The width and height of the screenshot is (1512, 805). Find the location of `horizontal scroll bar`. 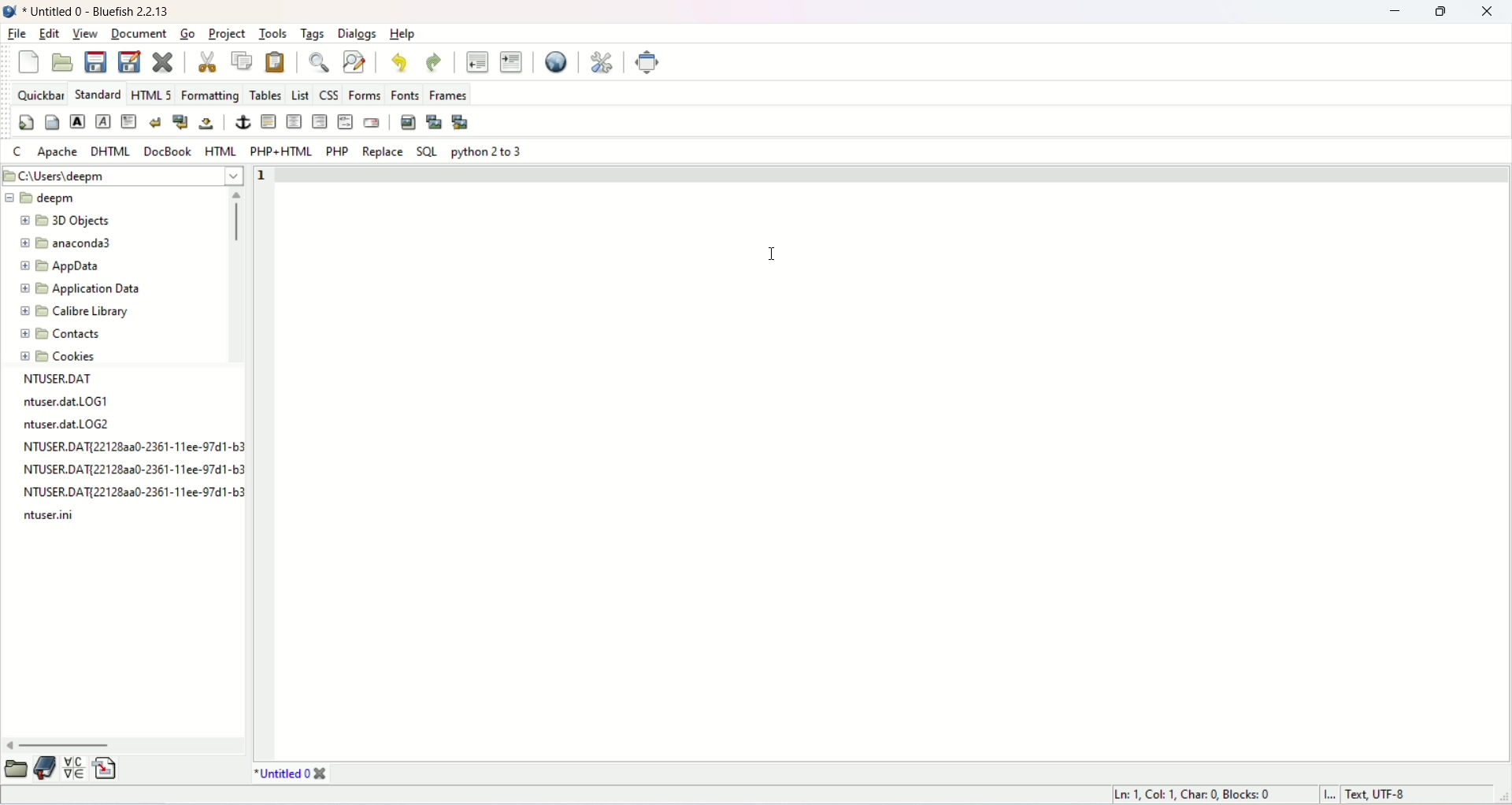

horizontal scroll bar is located at coordinates (128, 746).